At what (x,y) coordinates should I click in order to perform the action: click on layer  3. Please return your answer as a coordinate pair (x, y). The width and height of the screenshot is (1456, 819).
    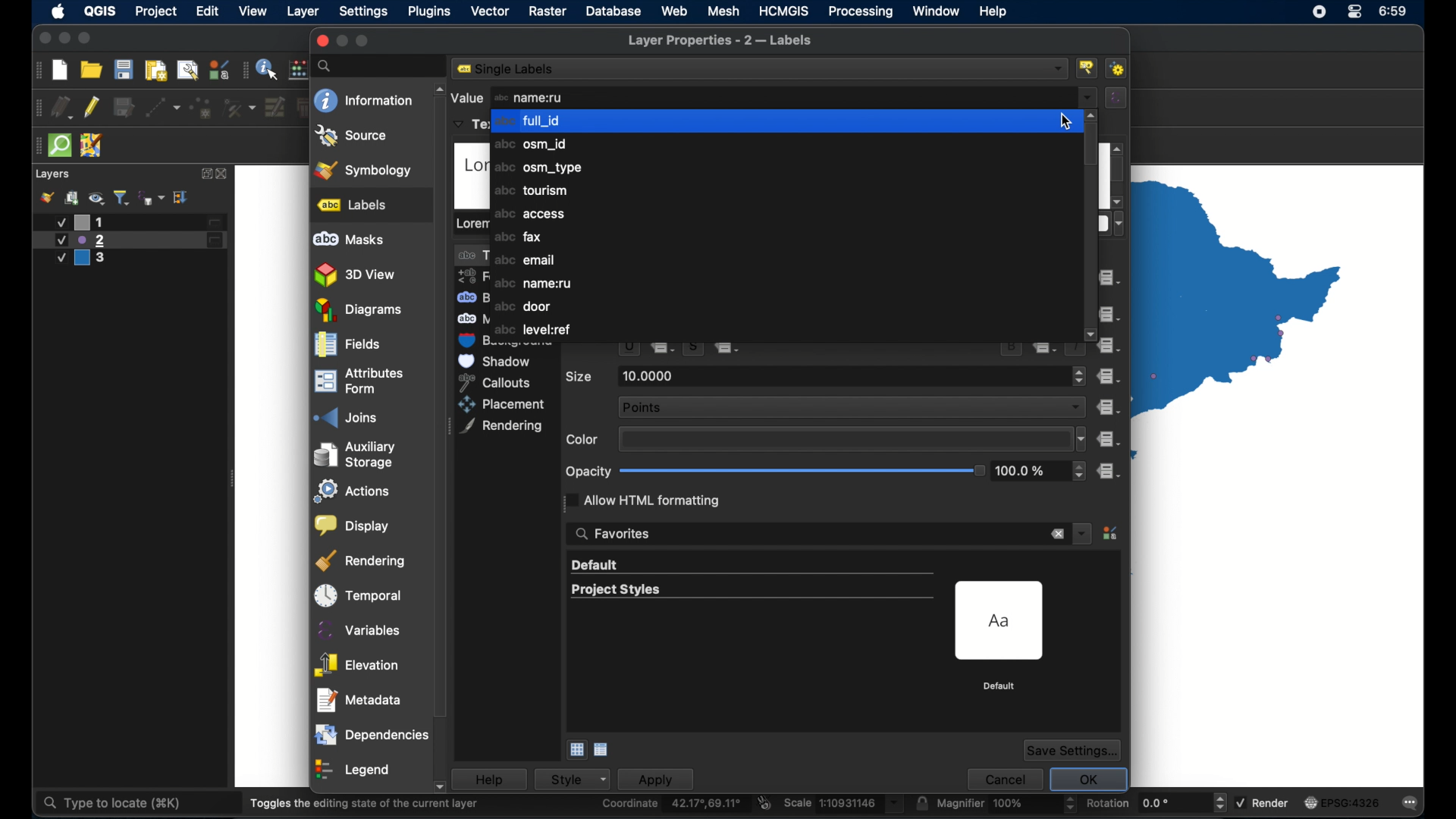
    Looking at the image, I should click on (89, 259).